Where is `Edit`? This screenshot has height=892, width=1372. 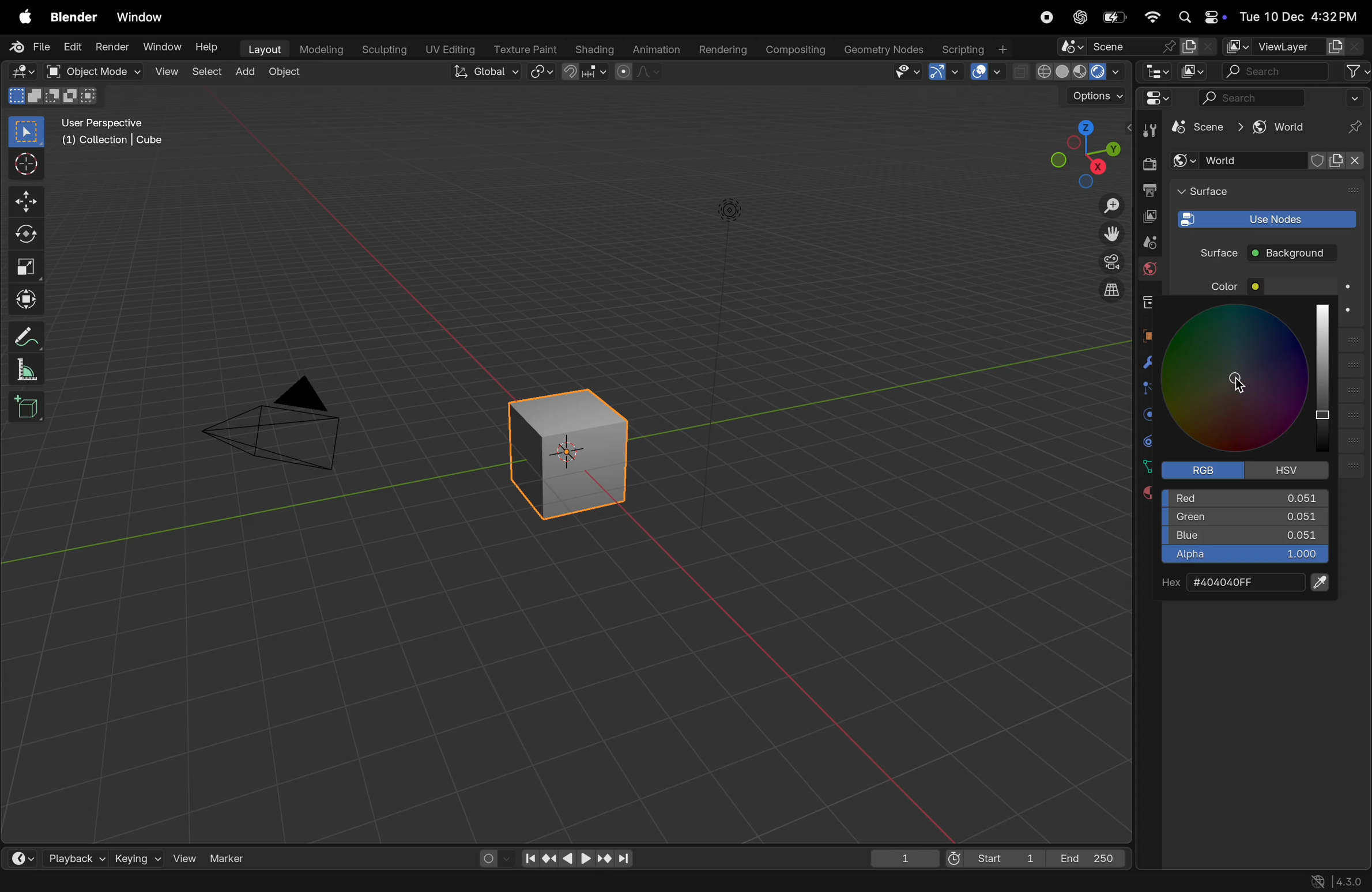
Edit is located at coordinates (73, 47).